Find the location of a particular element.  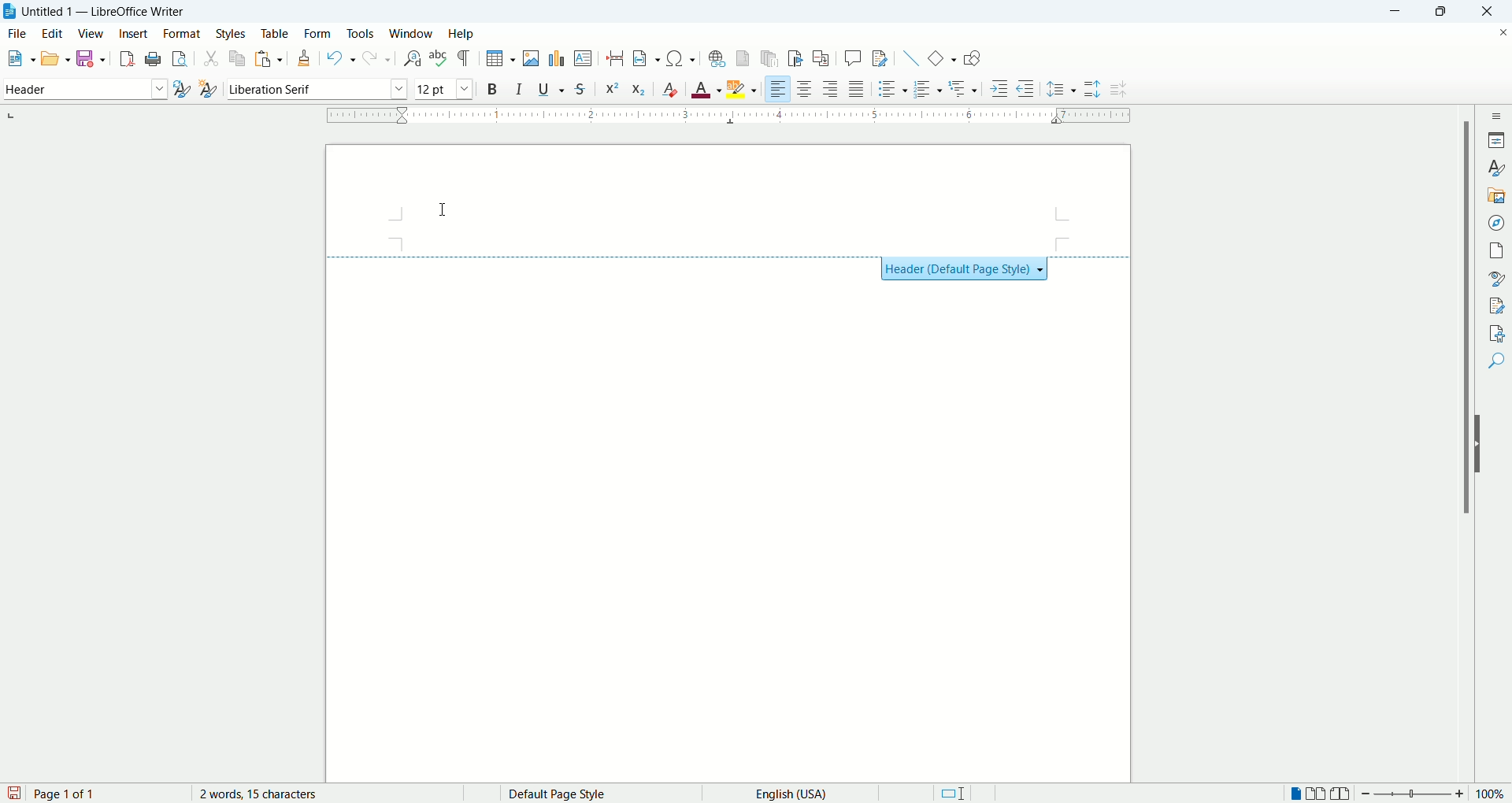

paragraph style is located at coordinates (85, 90).